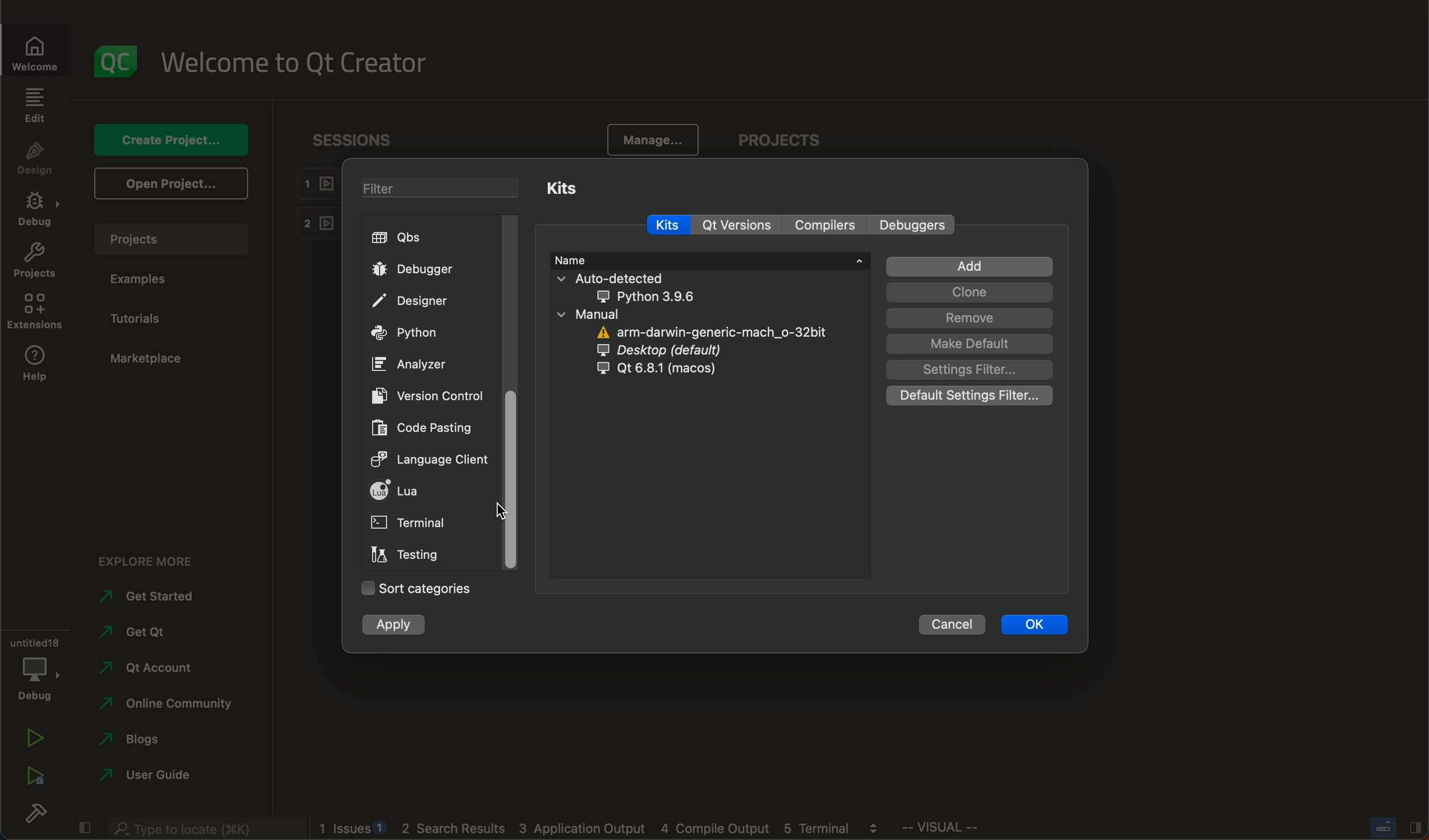  Describe the element at coordinates (969, 393) in the screenshot. I see `default` at that location.